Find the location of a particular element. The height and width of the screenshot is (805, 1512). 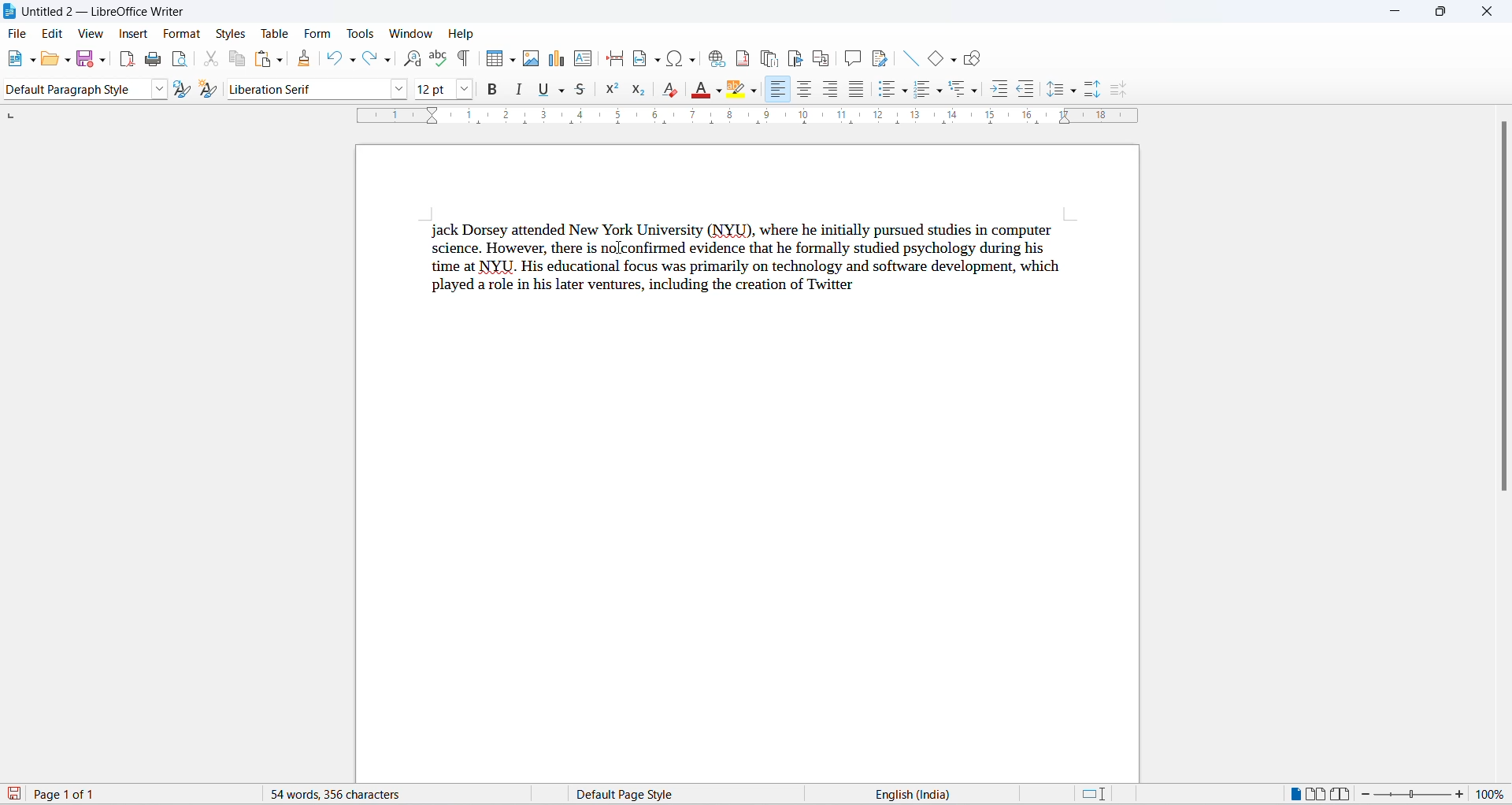

insert text is located at coordinates (584, 58).